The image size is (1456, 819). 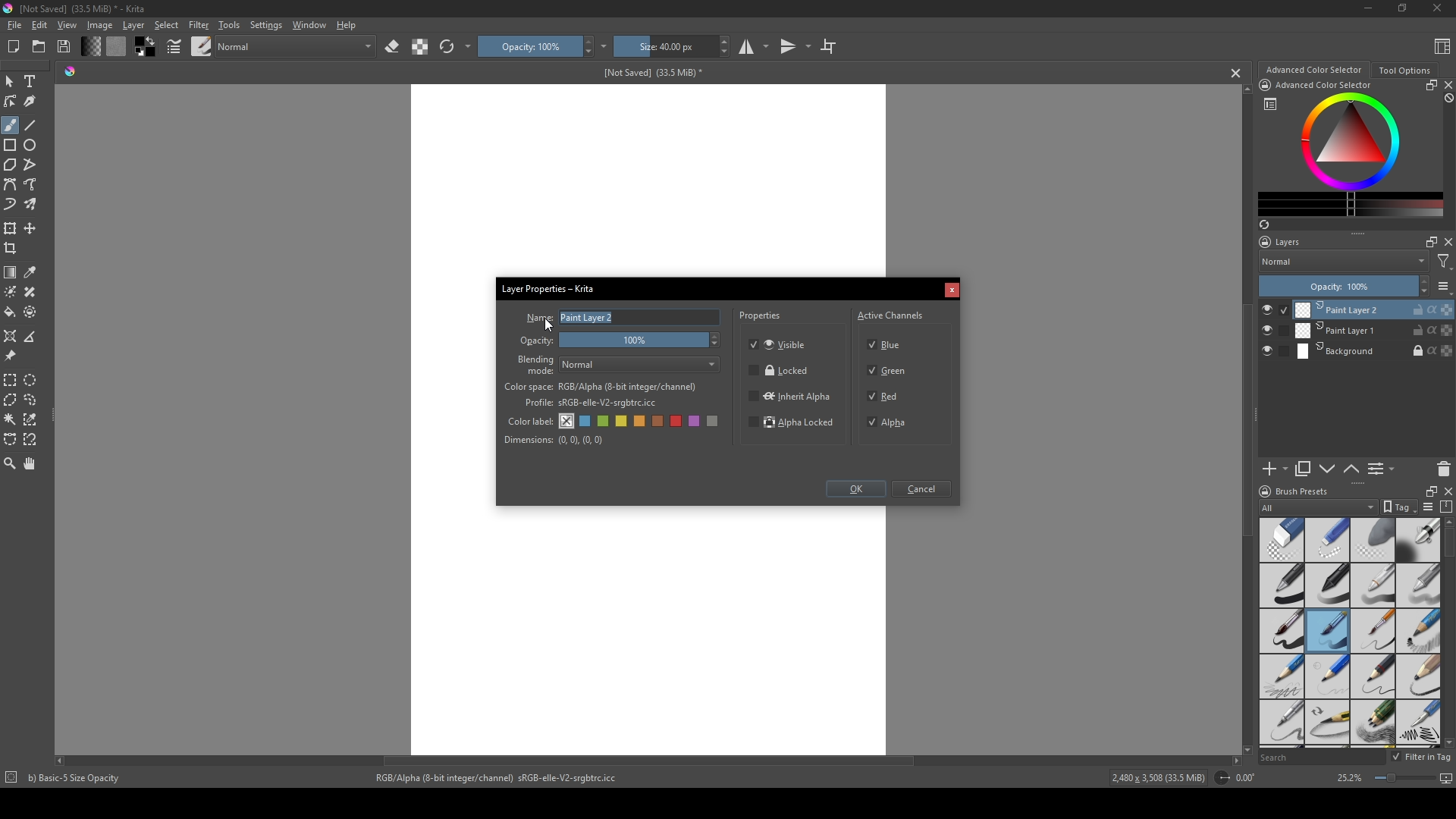 I want to click on Close, so click(x=1434, y=9).